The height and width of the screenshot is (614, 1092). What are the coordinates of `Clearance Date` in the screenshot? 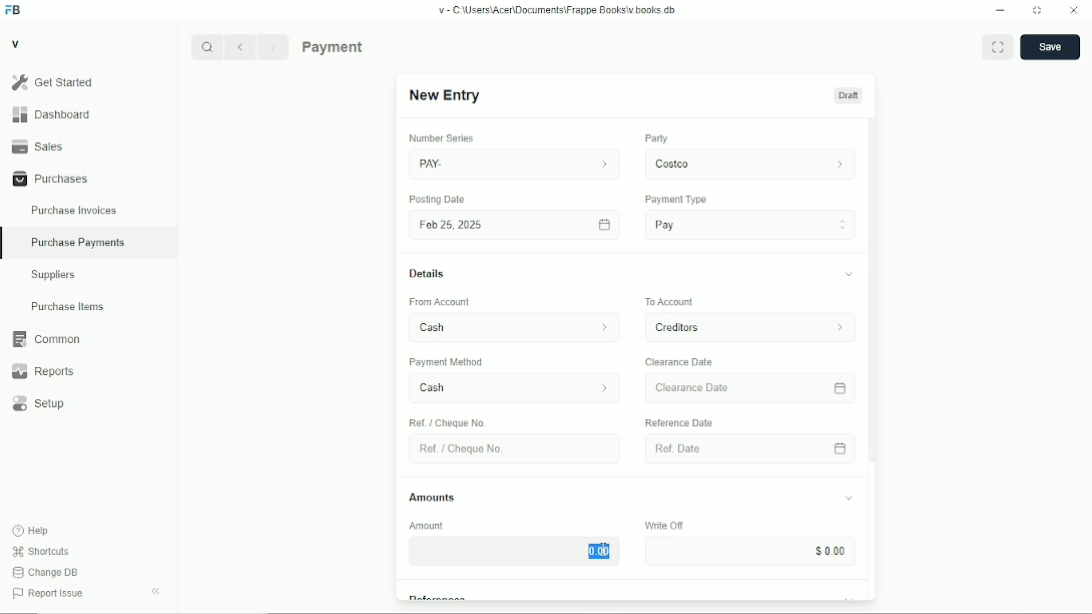 It's located at (736, 388).